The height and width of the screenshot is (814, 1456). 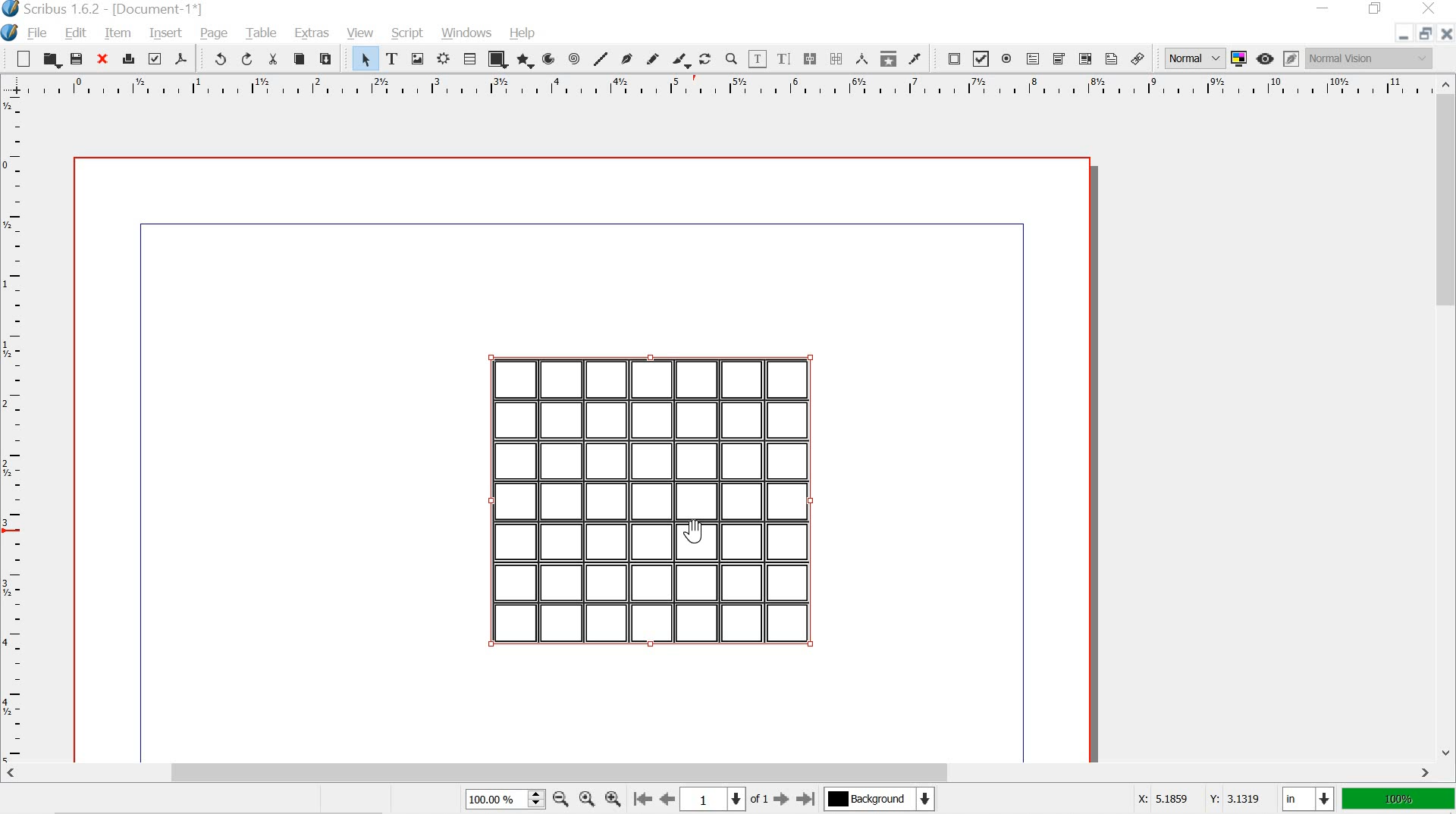 I want to click on table, so click(x=650, y=502).